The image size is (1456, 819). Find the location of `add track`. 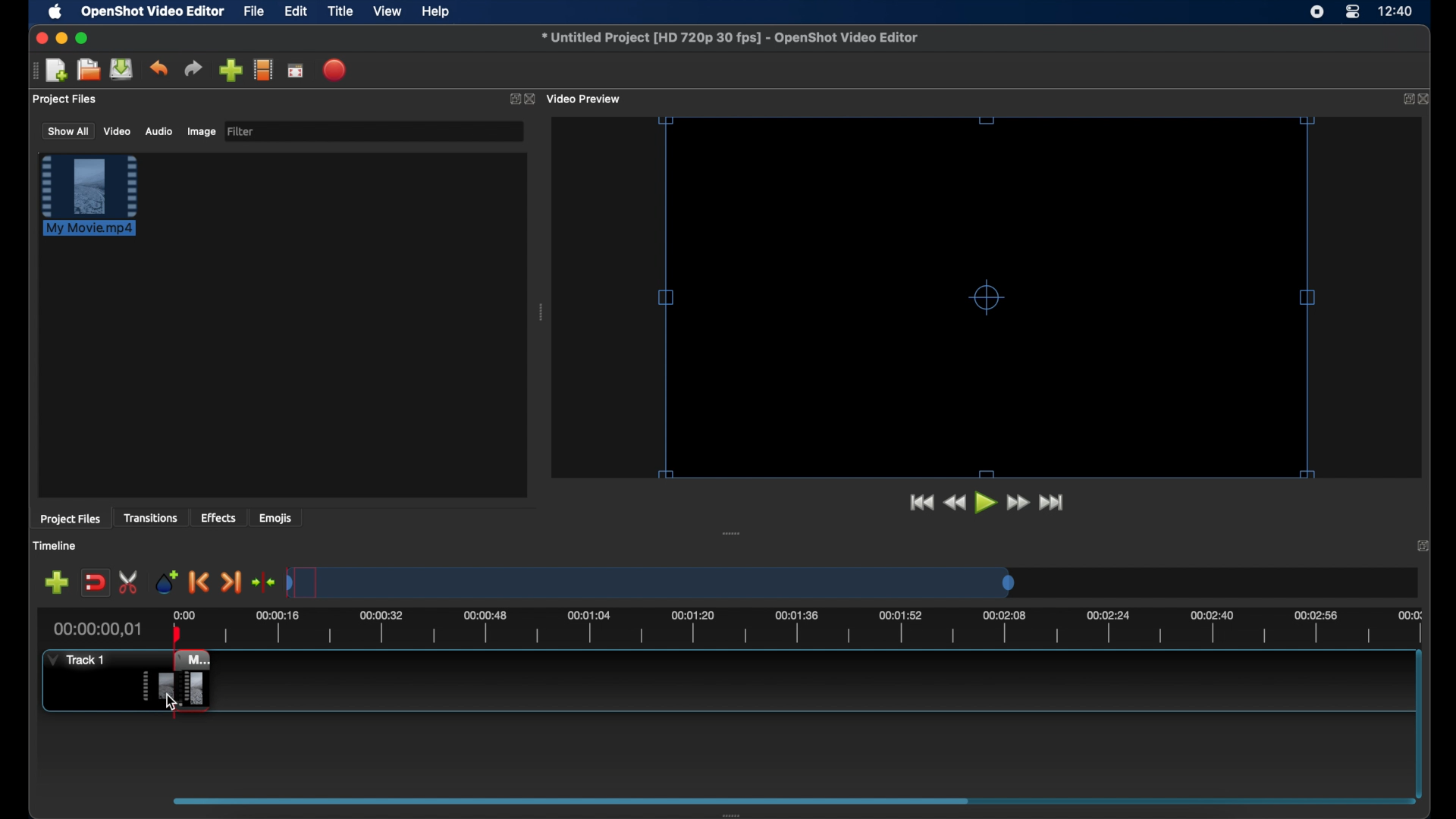

add track is located at coordinates (56, 583).